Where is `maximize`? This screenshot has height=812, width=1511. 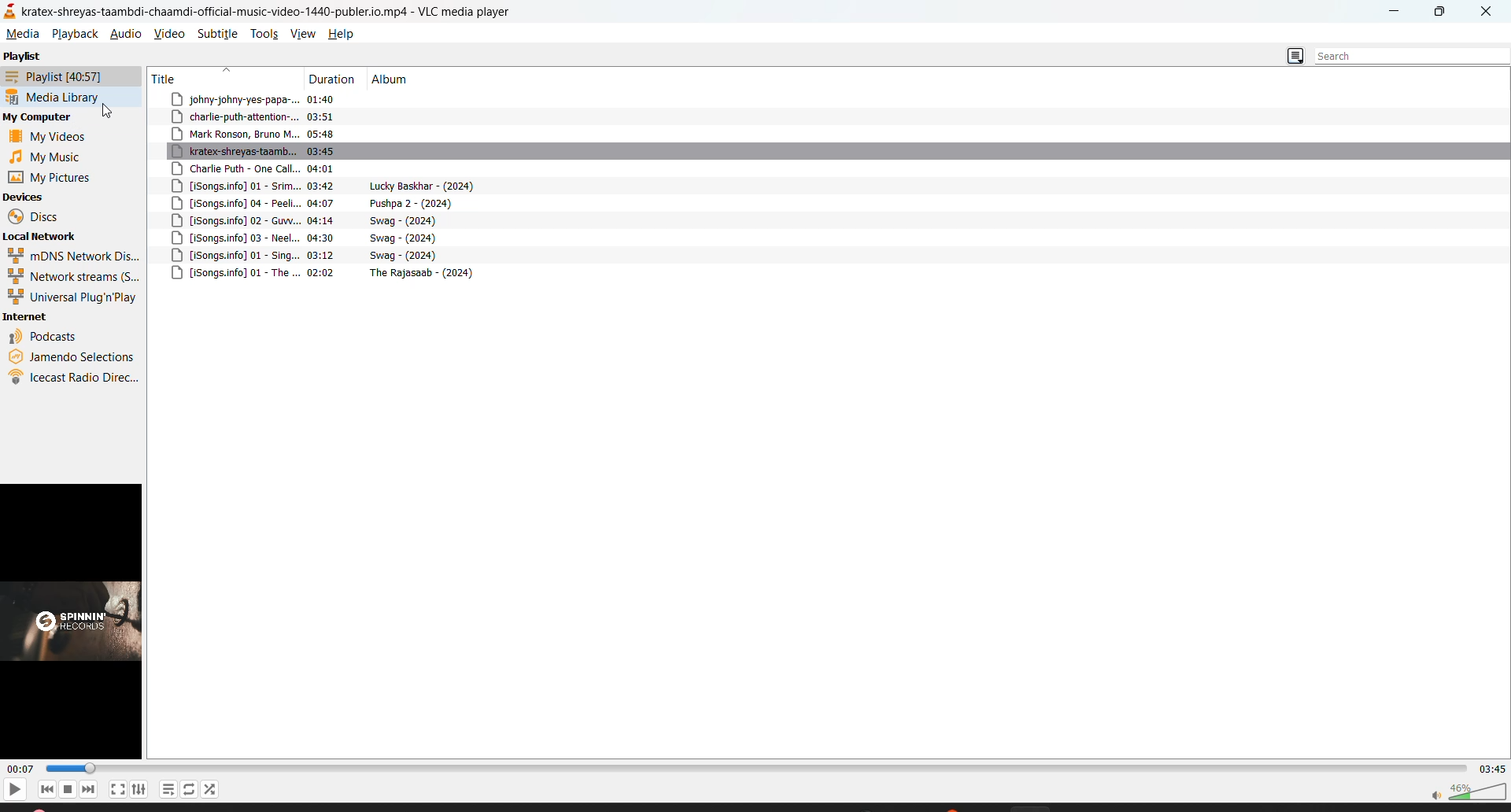
maximize is located at coordinates (1445, 13).